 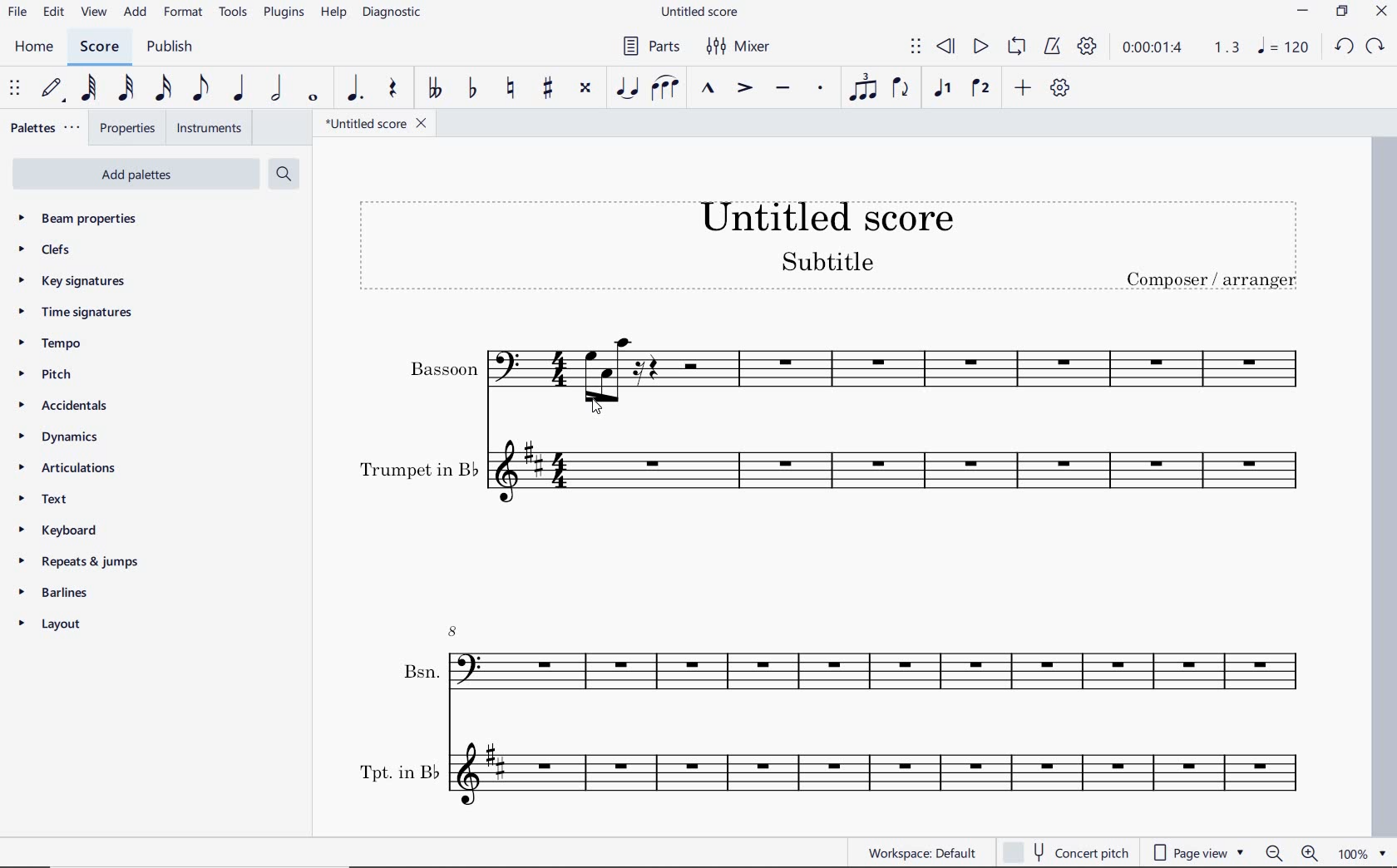 What do you see at coordinates (201, 88) in the screenshot?
I see `eighth note` at bounding box center [201, 88].